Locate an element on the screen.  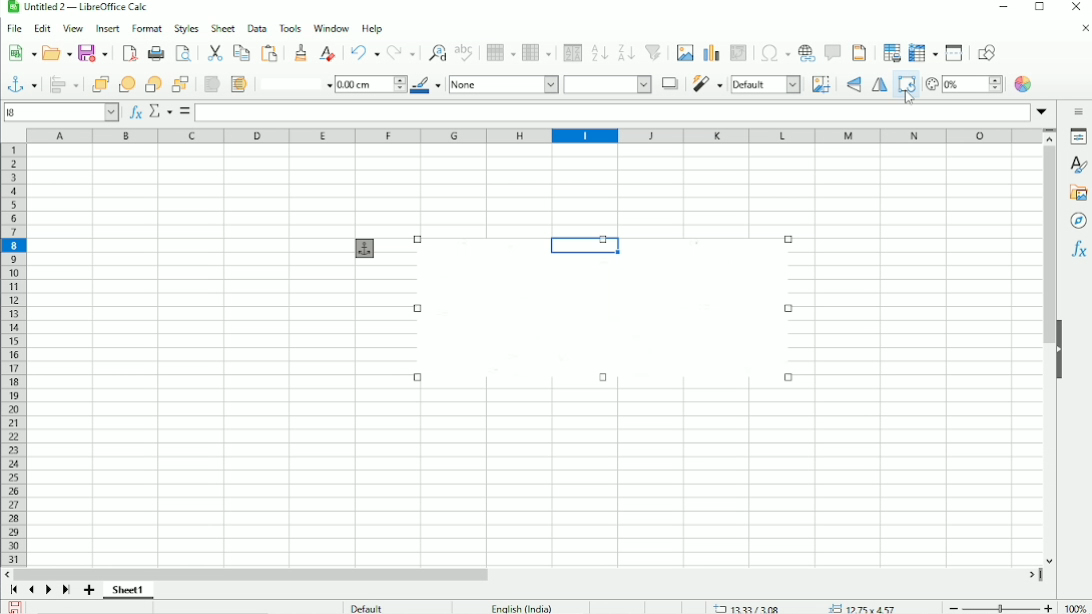
None is located at coordinates (503, 84).